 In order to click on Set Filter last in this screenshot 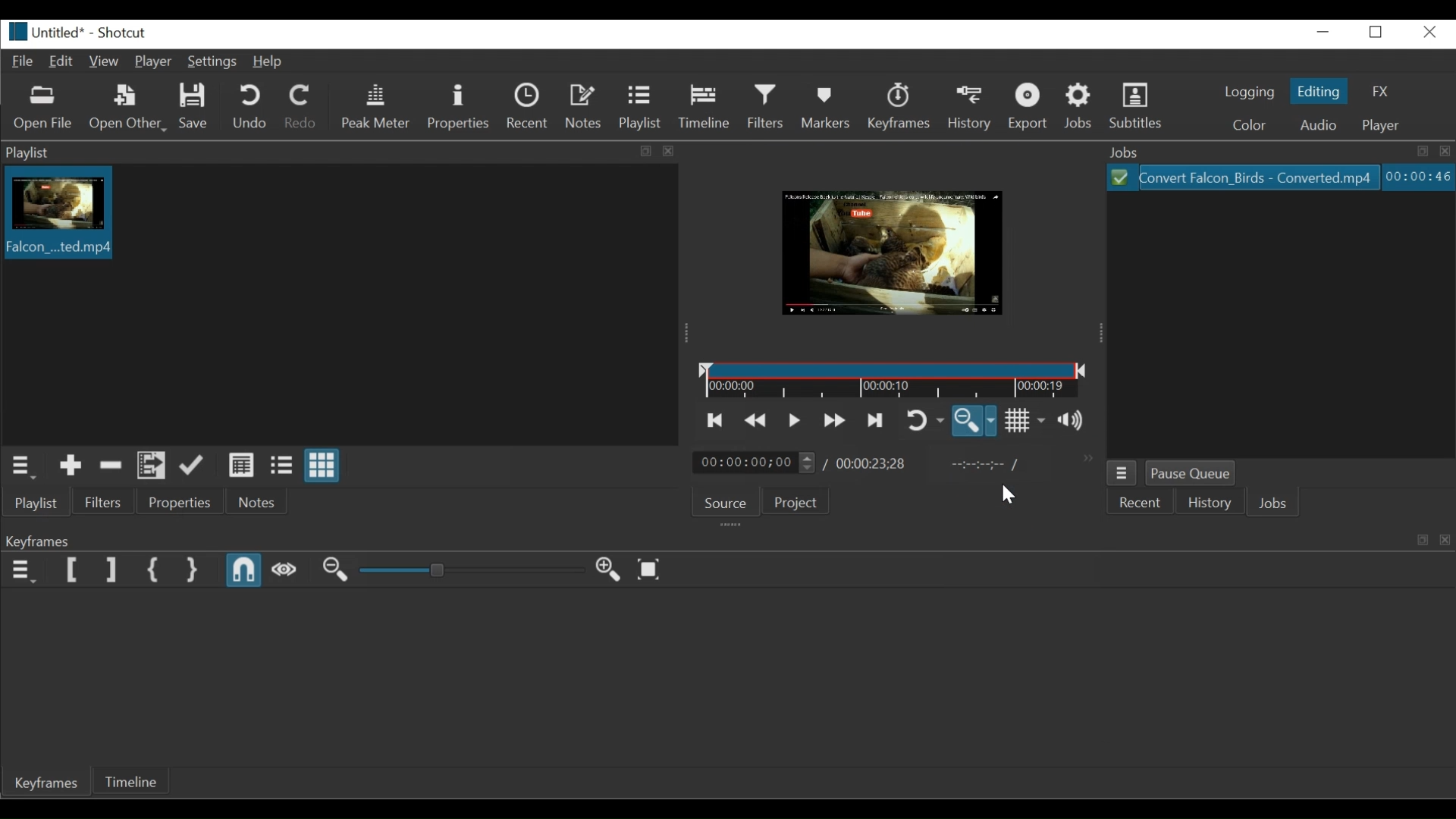, I will do `click(110, 571)`.